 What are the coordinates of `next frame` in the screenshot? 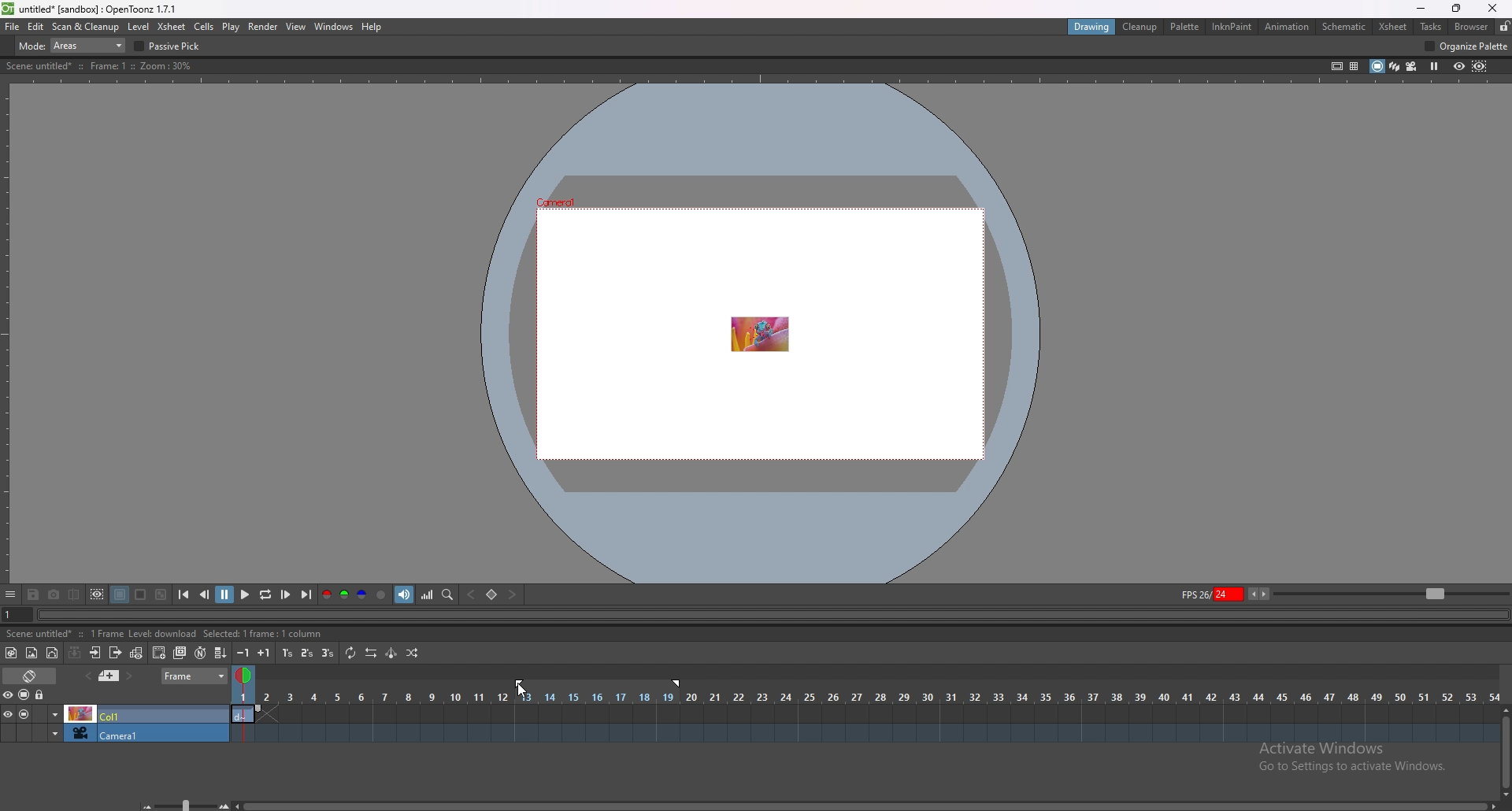 It's located at (287, 594).